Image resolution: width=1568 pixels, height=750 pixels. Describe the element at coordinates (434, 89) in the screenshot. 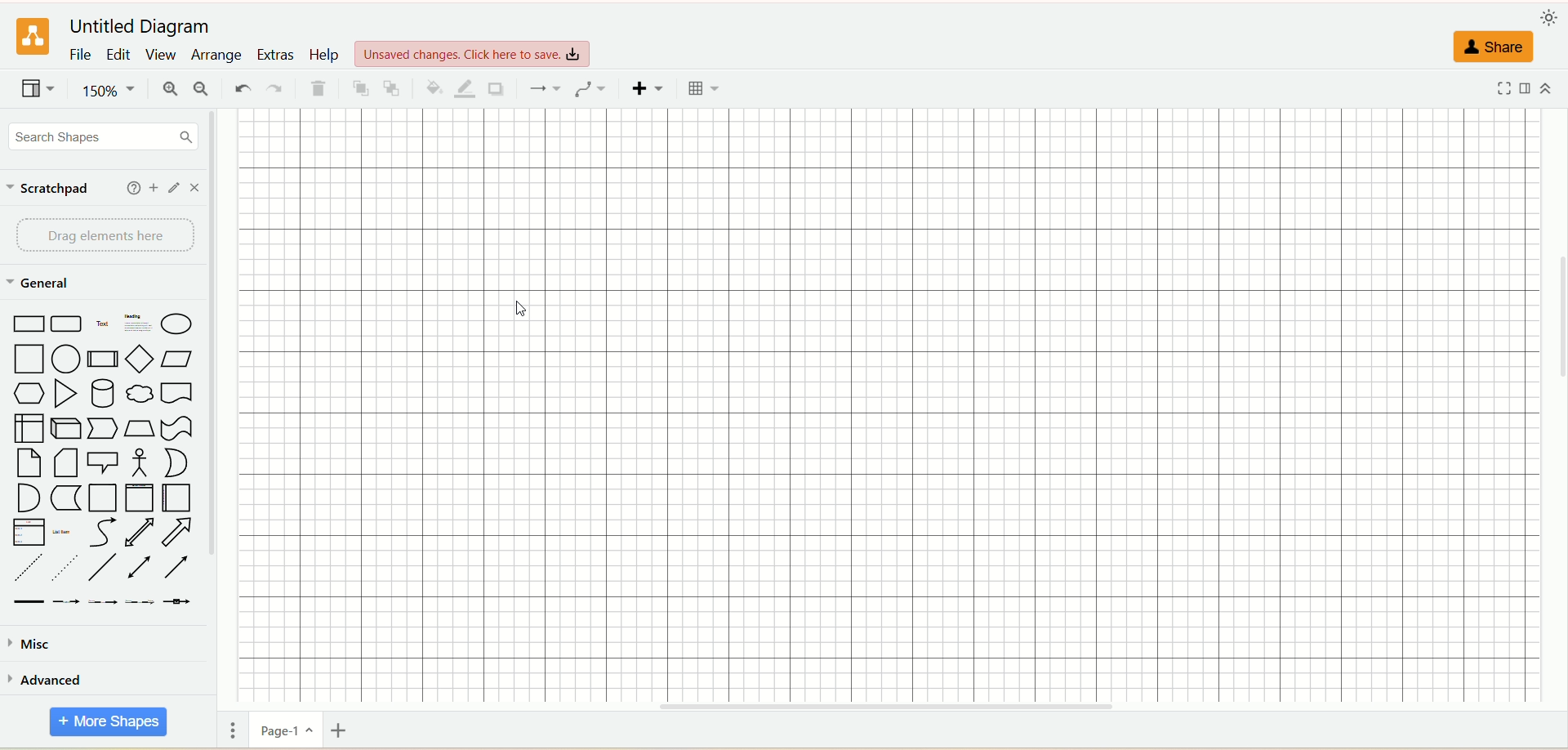

I see `fill color` at that location.